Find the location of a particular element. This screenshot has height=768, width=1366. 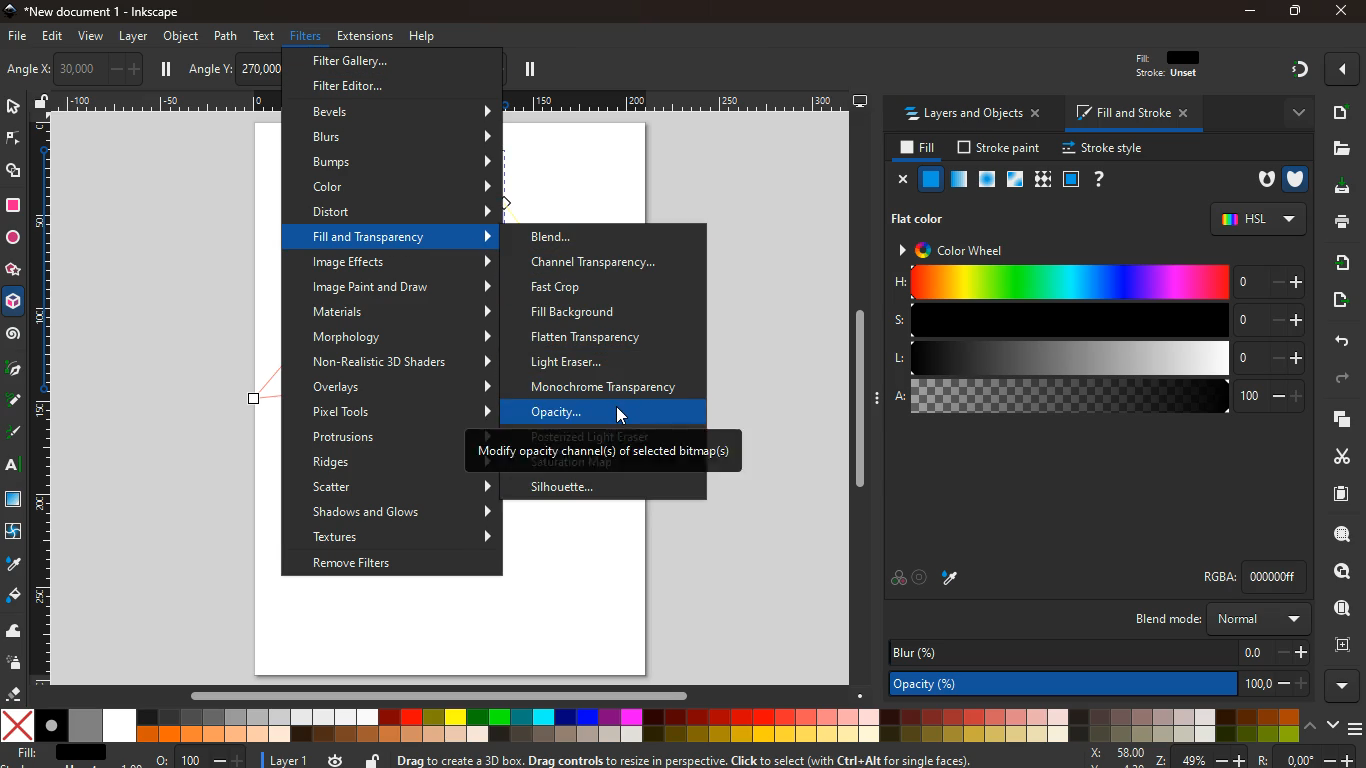

texture is located at coordinates (1043, 179).